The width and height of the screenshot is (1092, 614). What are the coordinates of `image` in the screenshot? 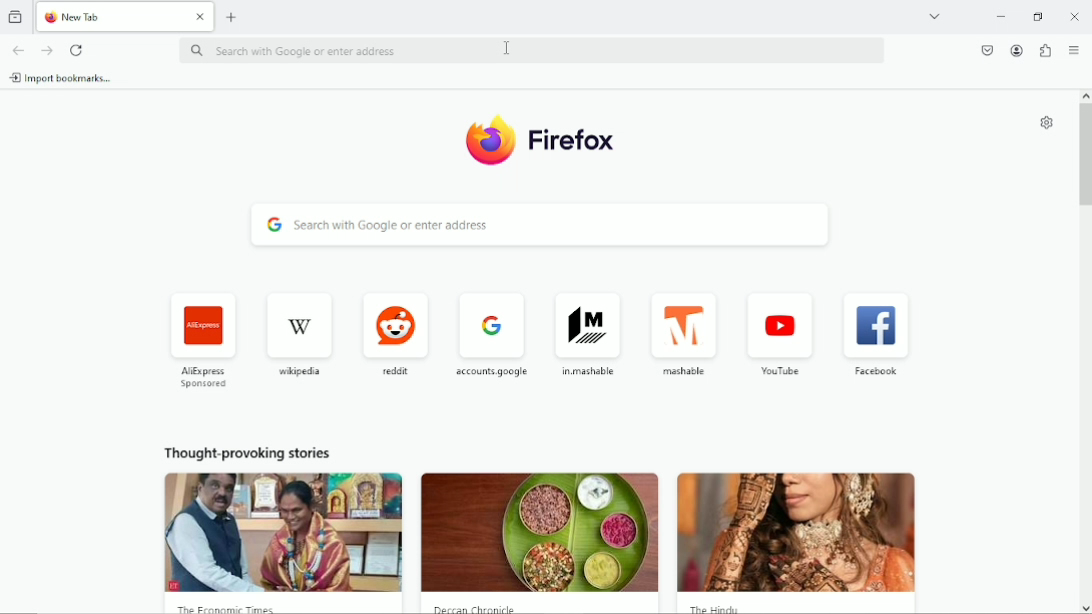 It's located at (284, 533).